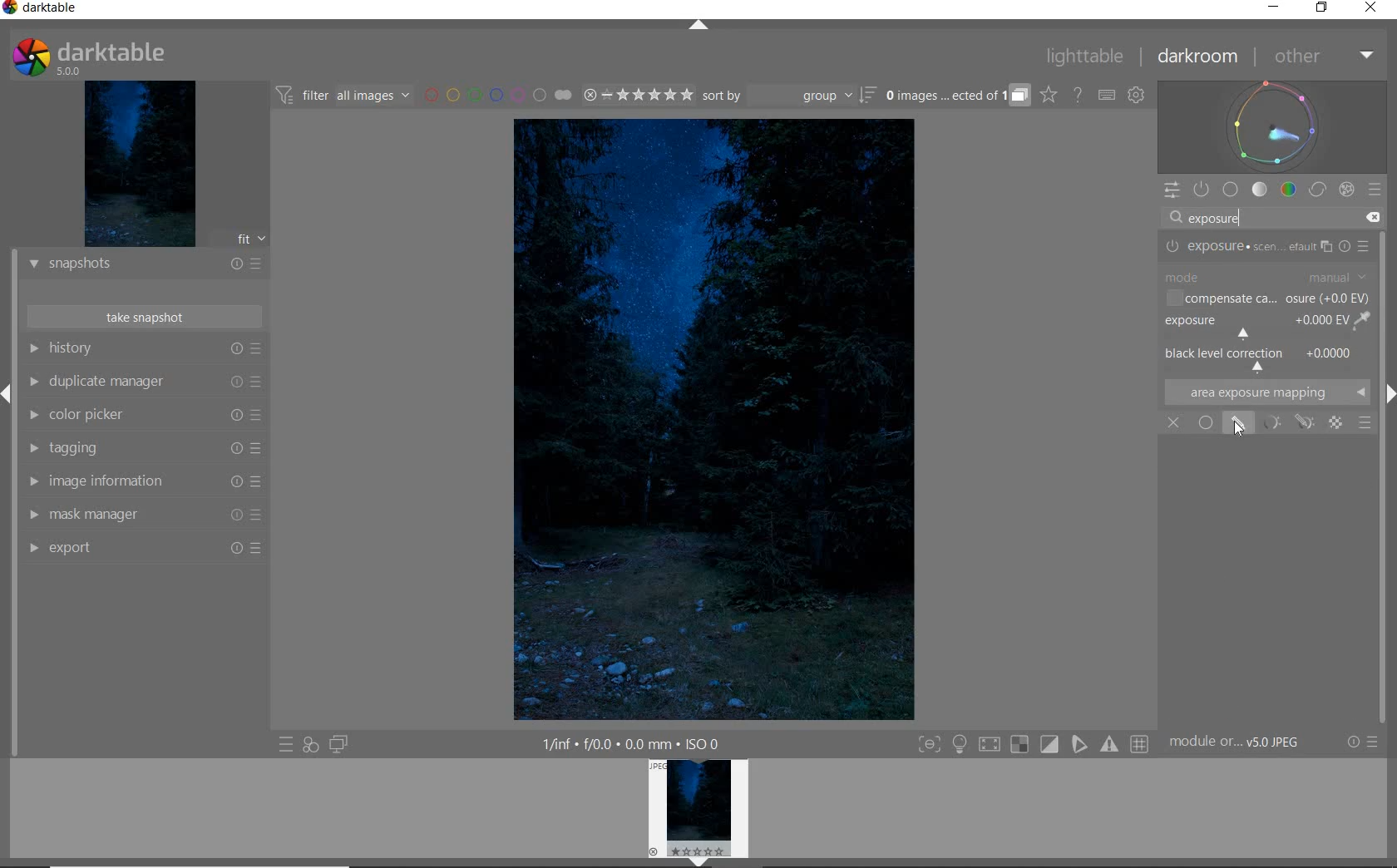 The width and height of the screenshot is (1397, 868). What do you see at coordinates (1265, 247) in the screenshot?
I see `EXPOSURE` at bounding box center [1265, 247].